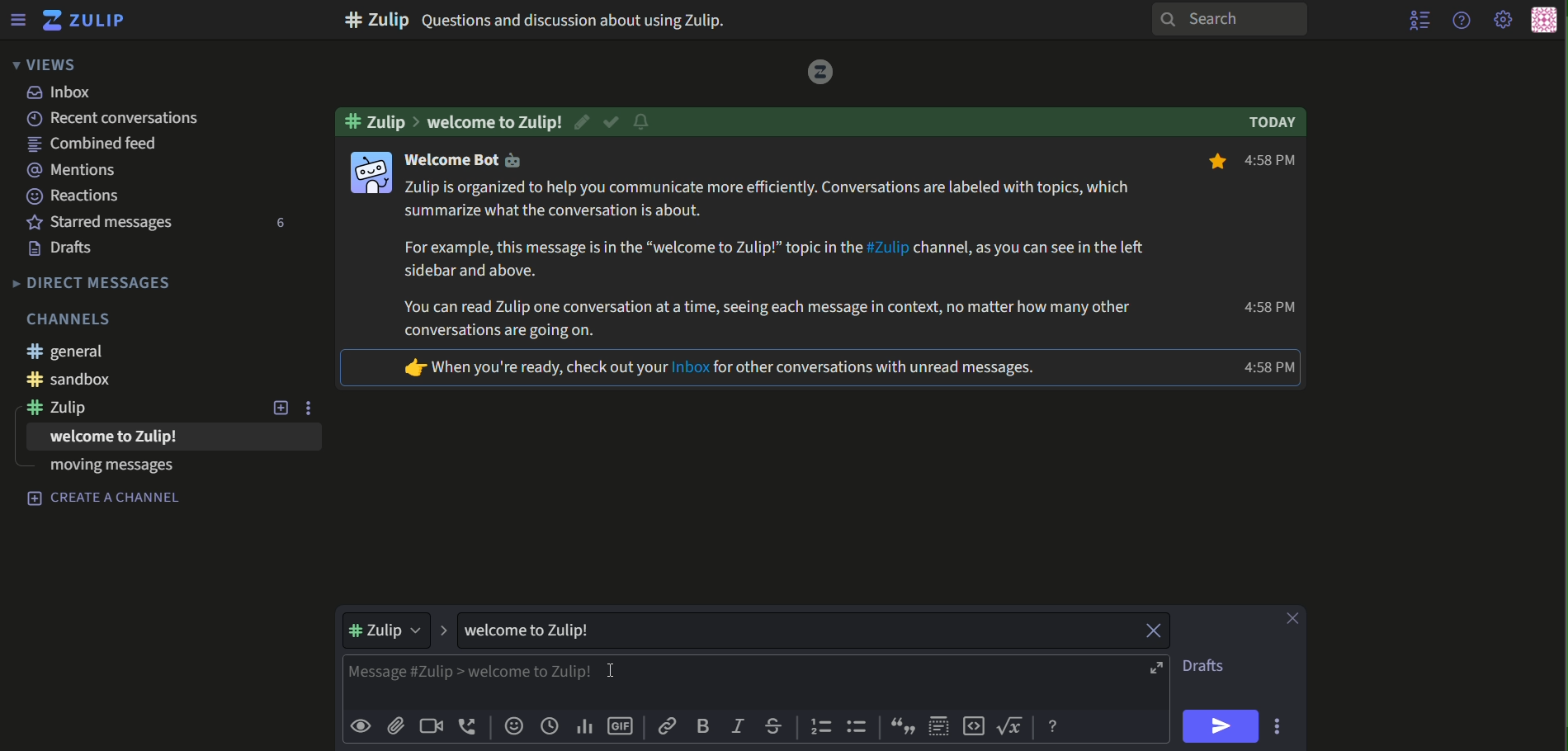 The height and width of the screenshot is (751, 1568). Describe the element at coordinates (774, 725) in the screenshot. I see `strikethrough` at that location.